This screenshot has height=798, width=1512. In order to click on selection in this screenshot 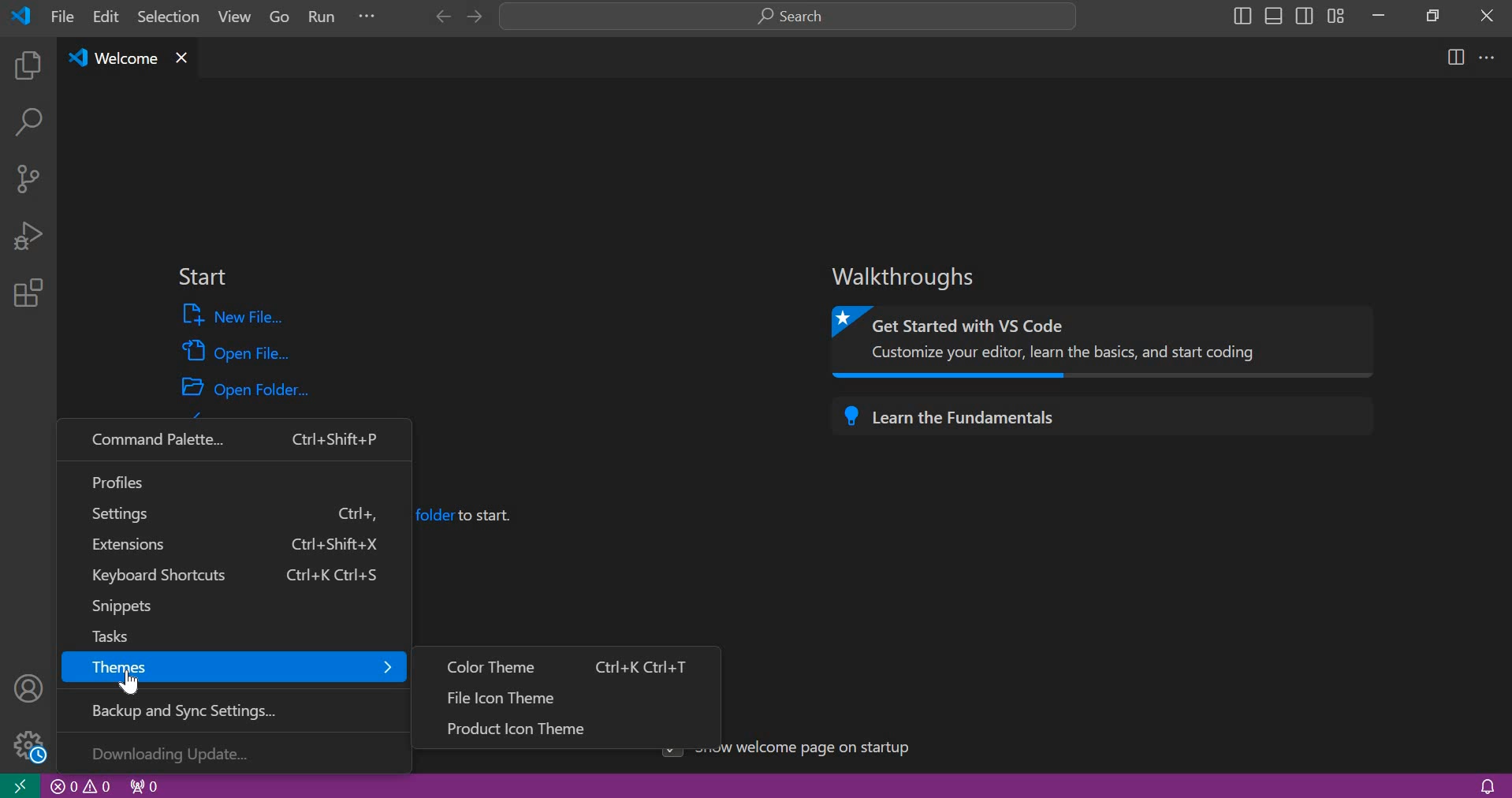, I will do `click(169, 16)`.